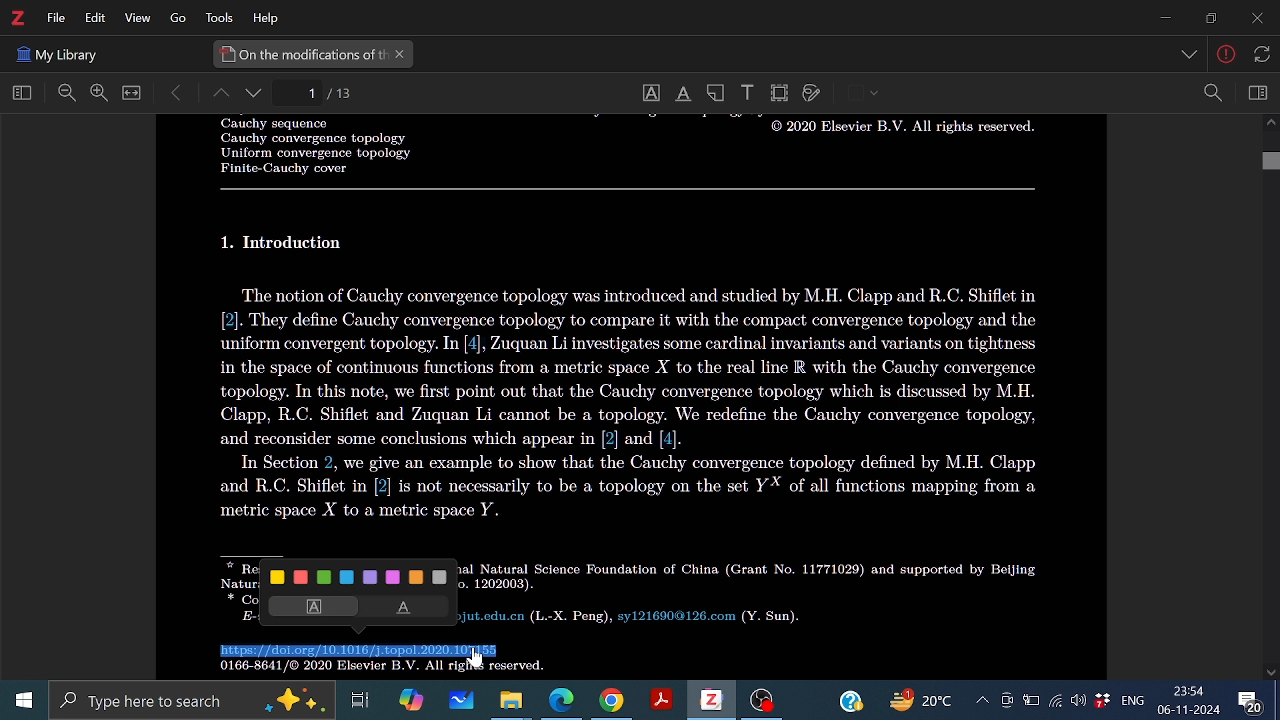 This screenshot has height=720, width=1280. Describe the element at coordinates (270, 17) in the screenshot. I see `HElp` at that location.